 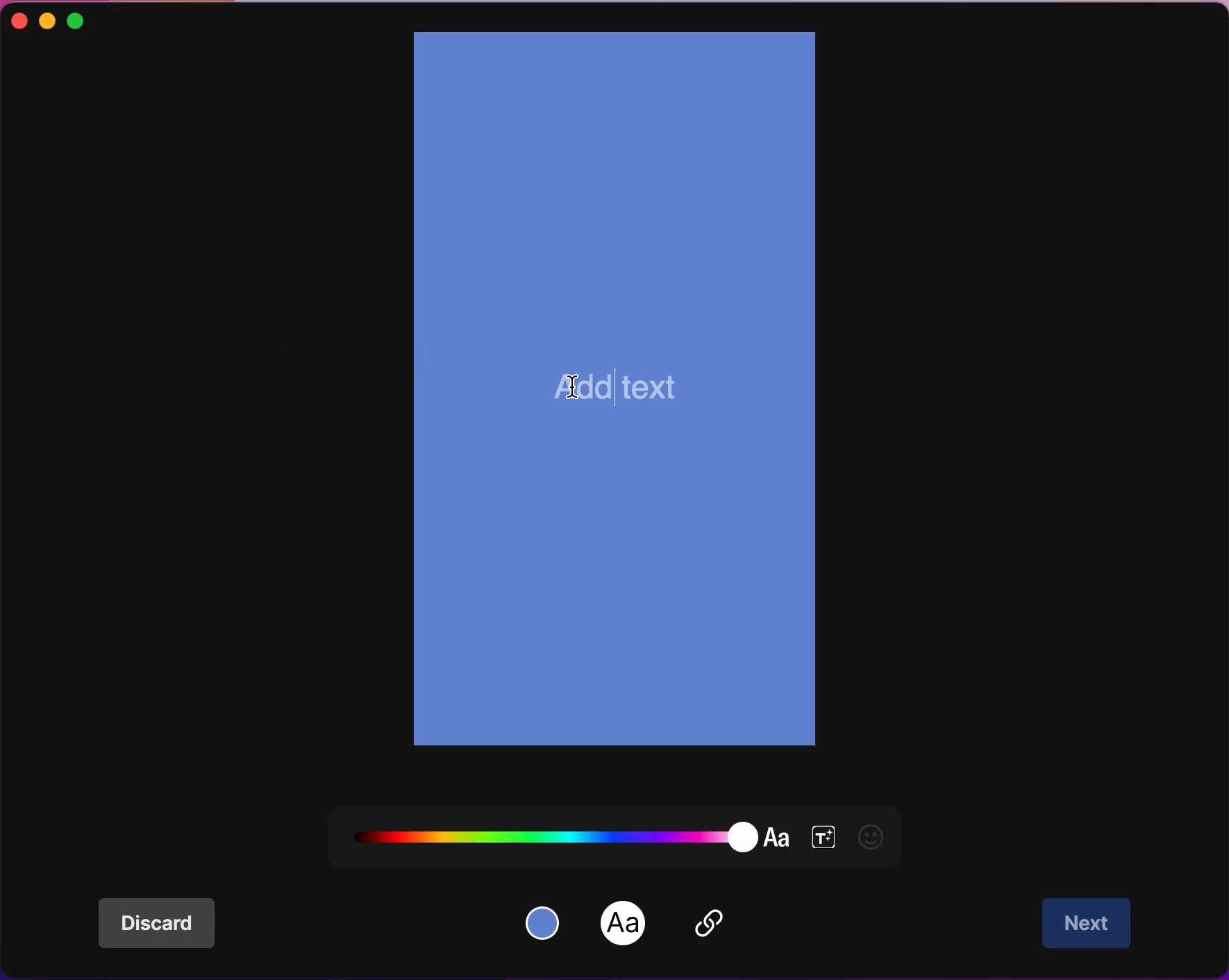 I want to click on cursor, so click(x=574, y=385).